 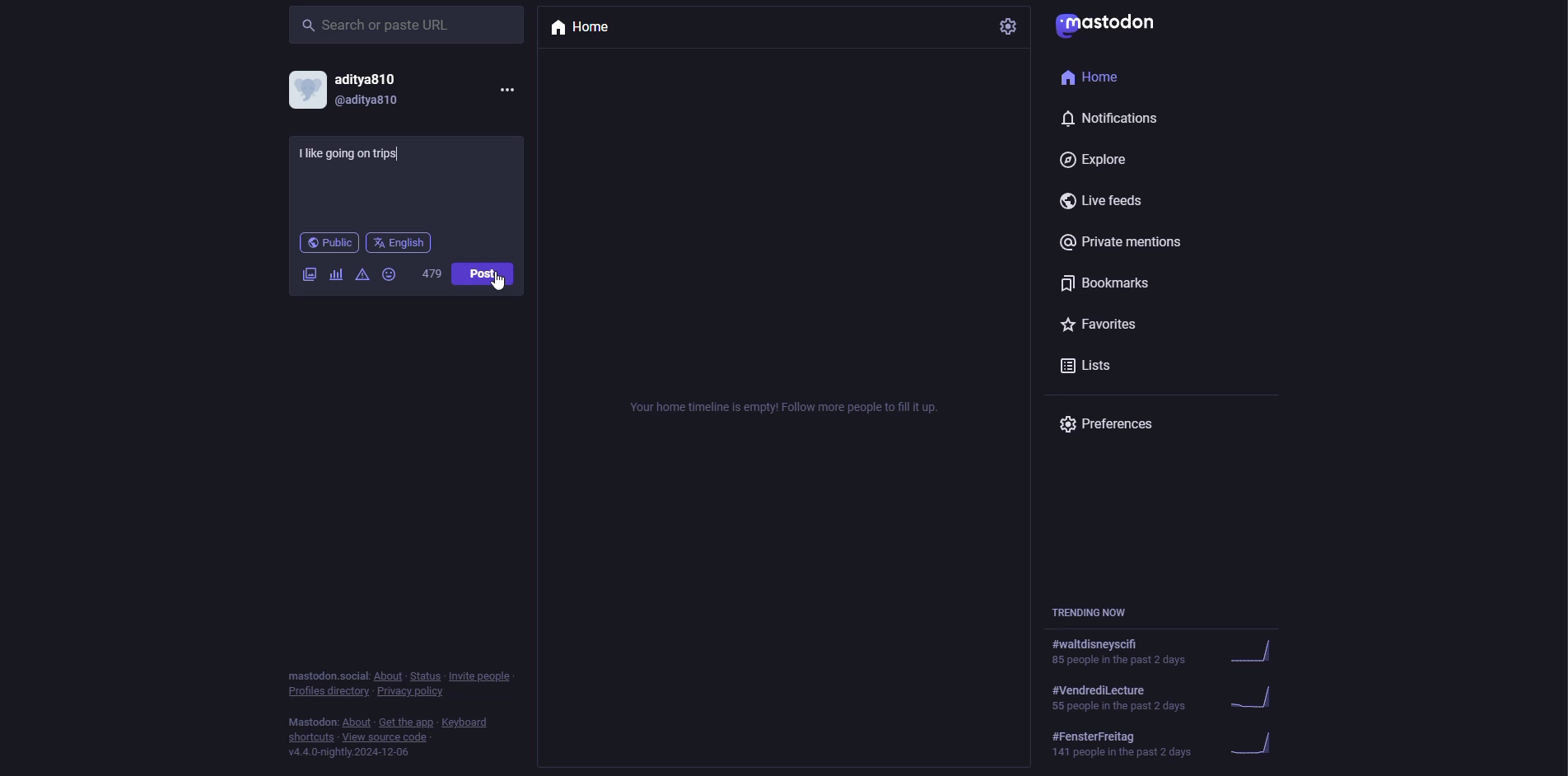 What do you see at coordinates (399, 243) in the screenshot?
I see `english` at bounding box center [399, 243].